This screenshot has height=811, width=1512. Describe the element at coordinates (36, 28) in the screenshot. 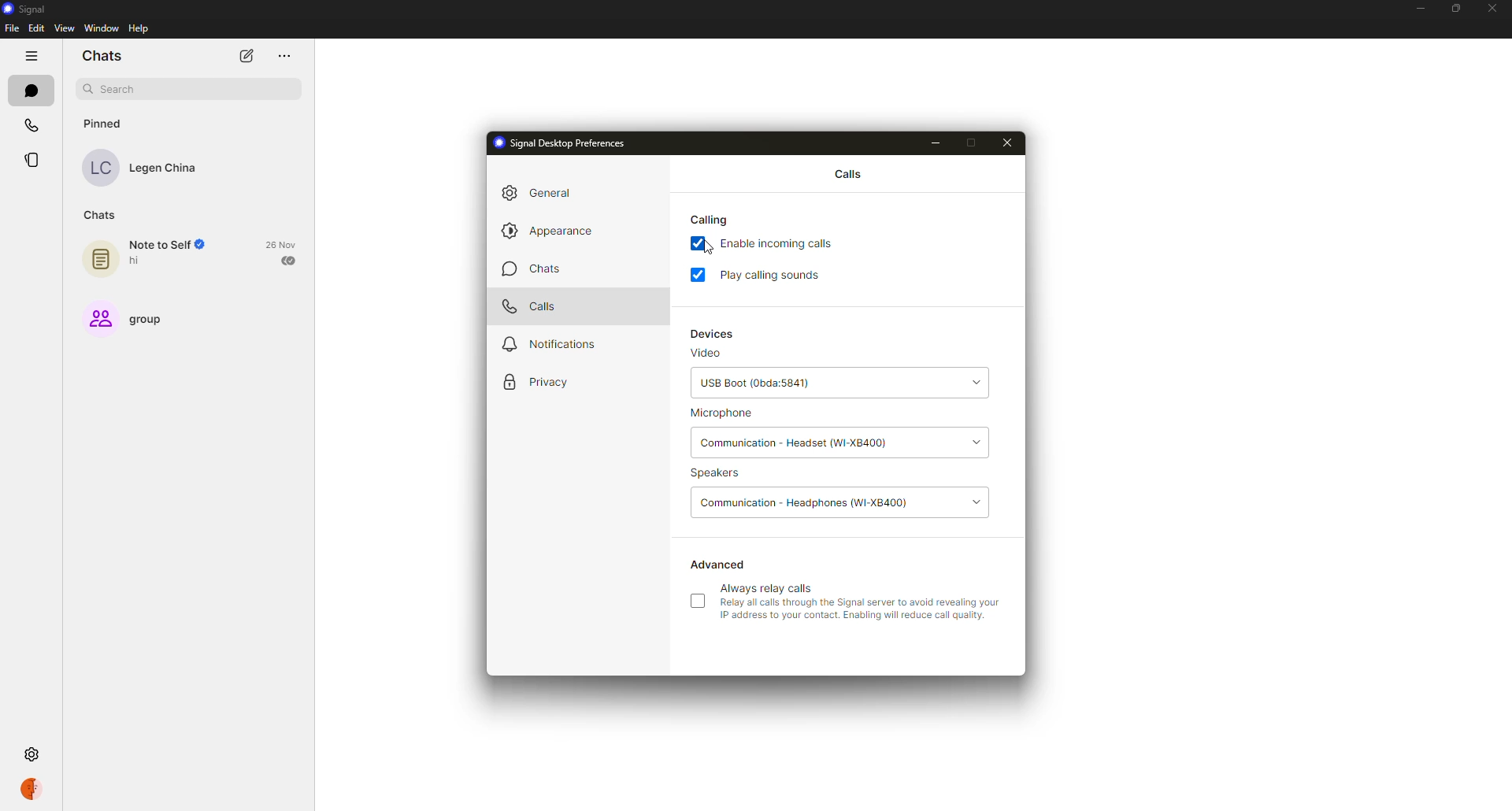

I see `edit` at that location.